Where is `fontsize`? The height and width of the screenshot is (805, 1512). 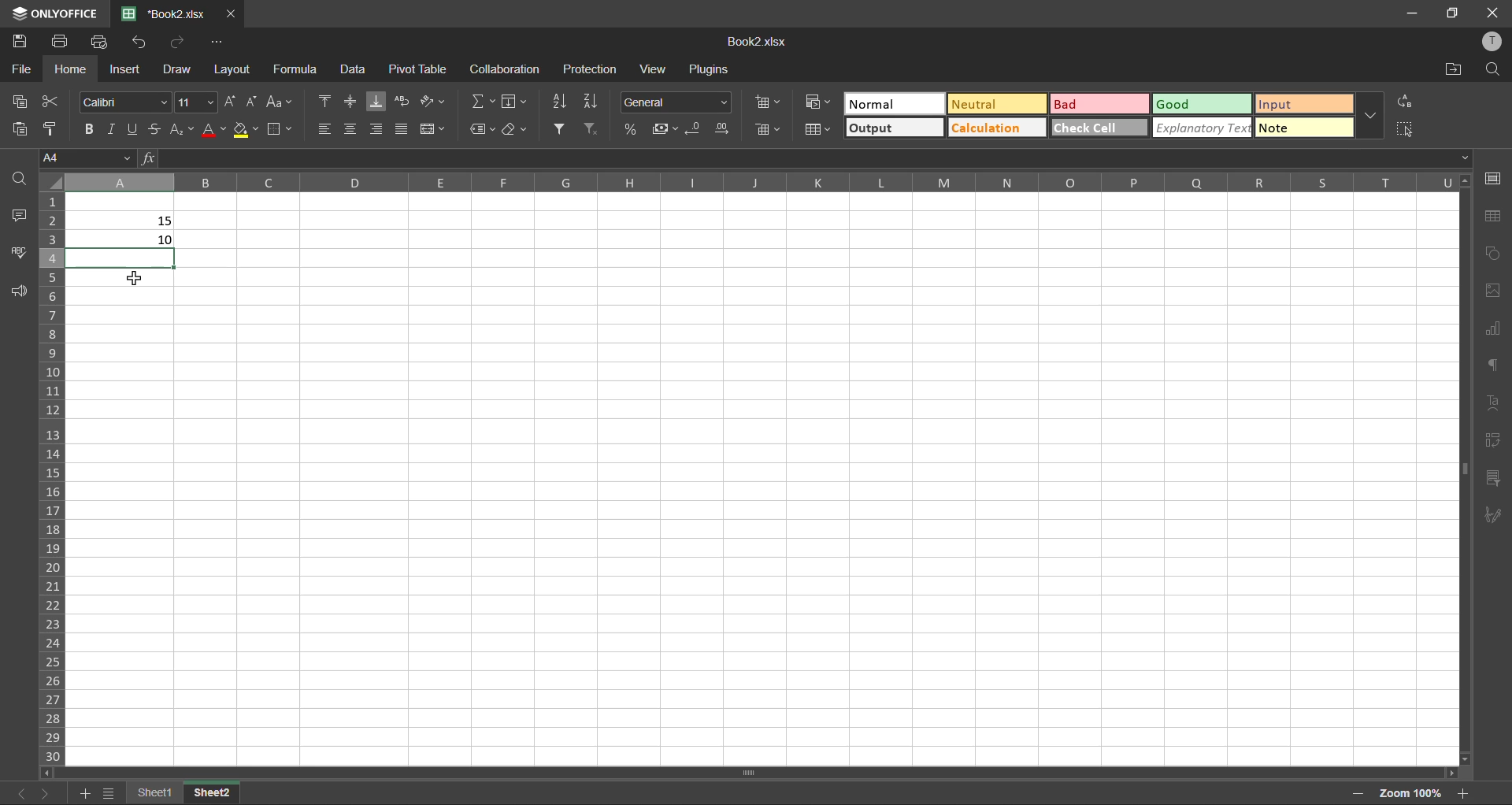 fontsize is located at coordinates (195, 102).